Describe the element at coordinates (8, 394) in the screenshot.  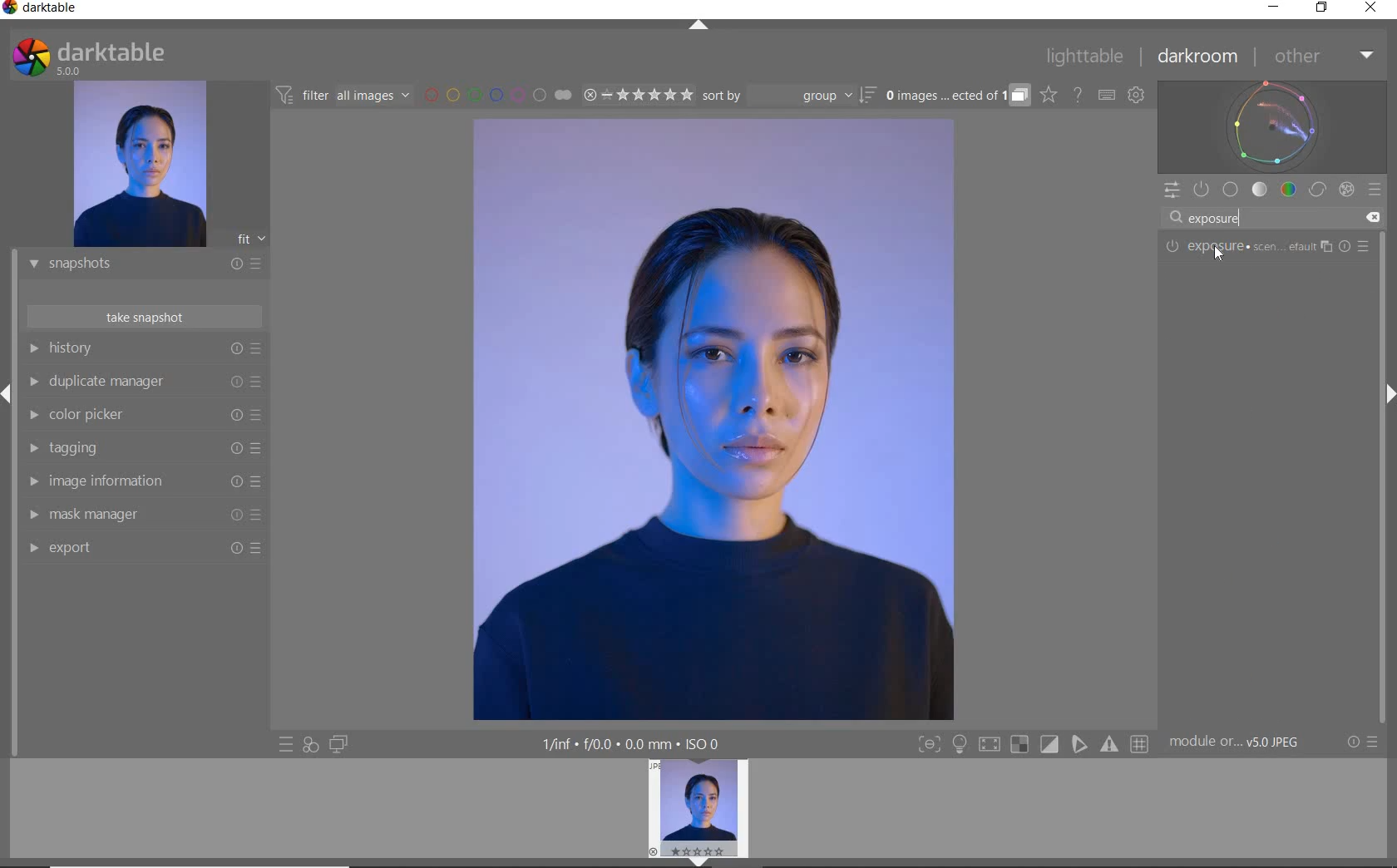
I see `Expand/Collapse` at that location.